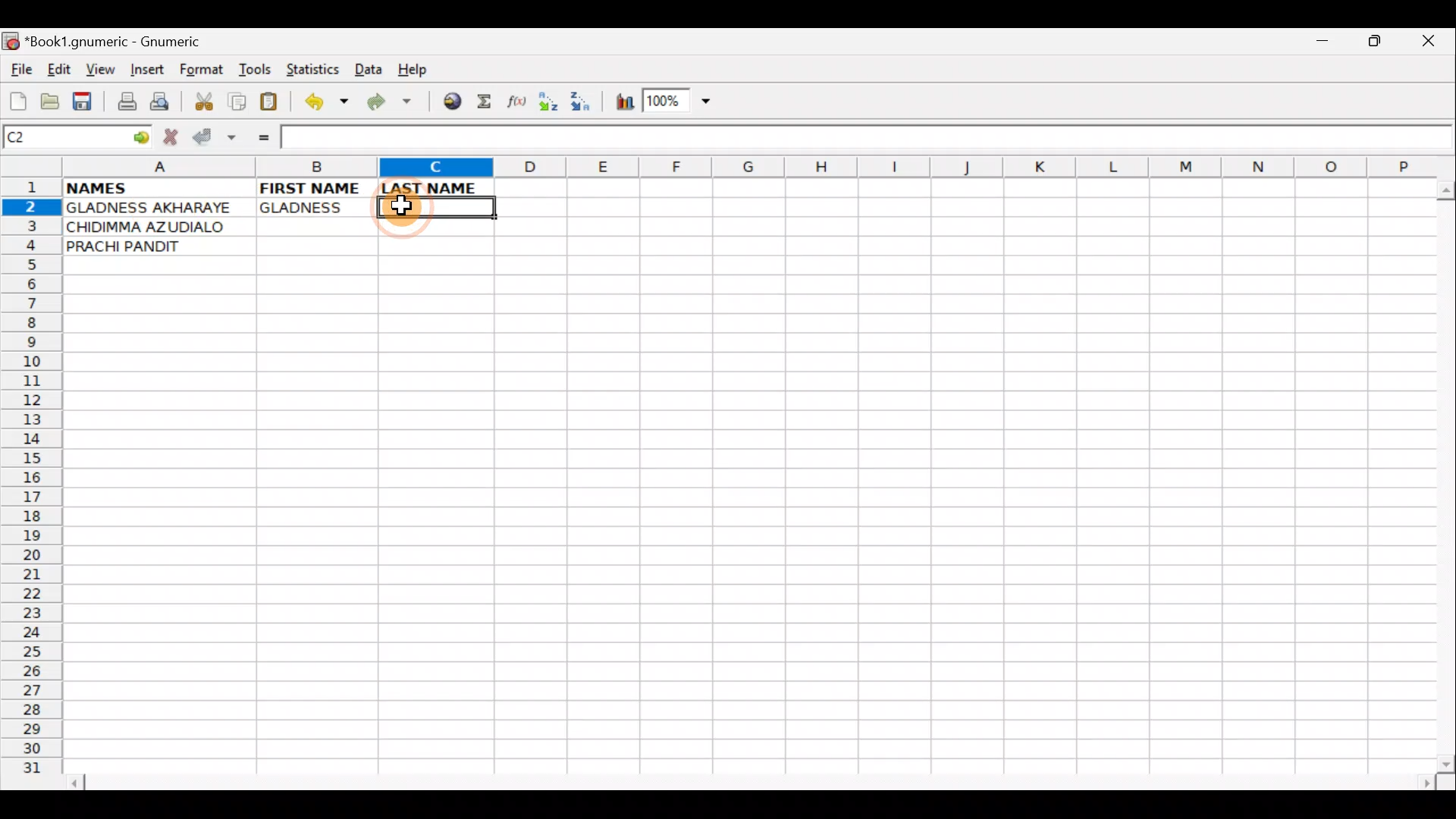  I want to click on Redo undone action, so click(393, 104).